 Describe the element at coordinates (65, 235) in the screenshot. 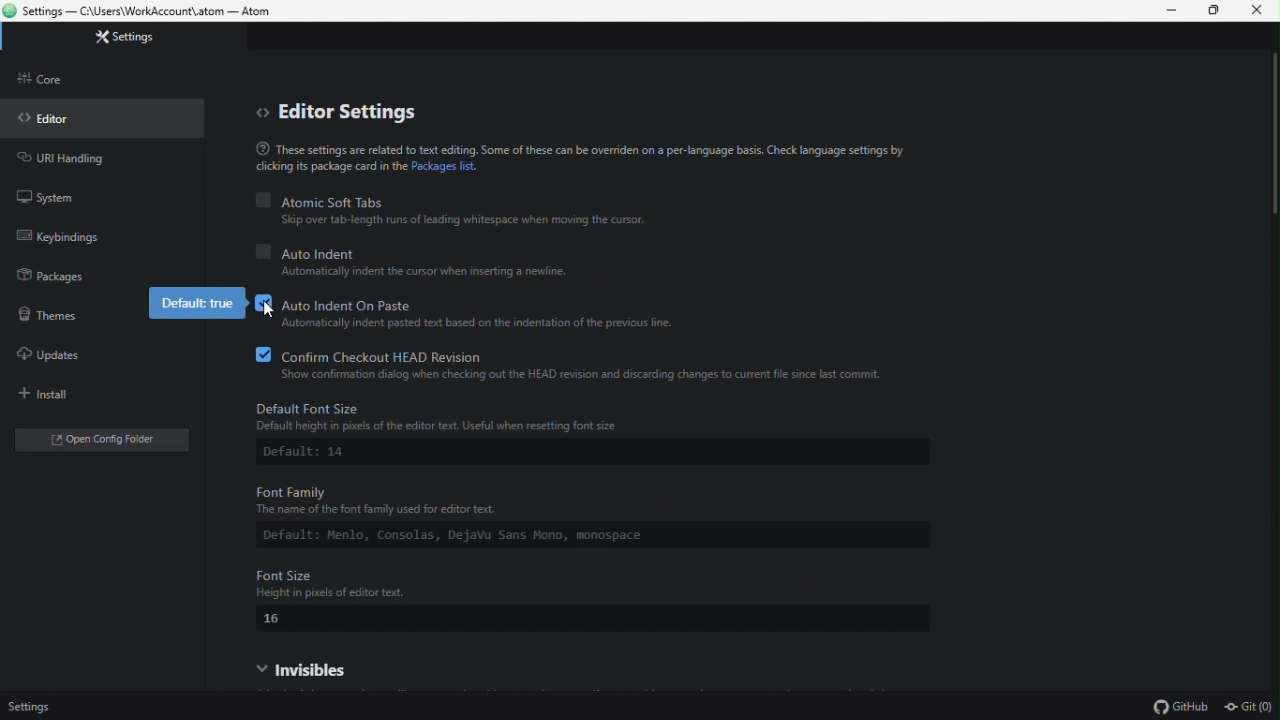

I see `key binding` at that location.